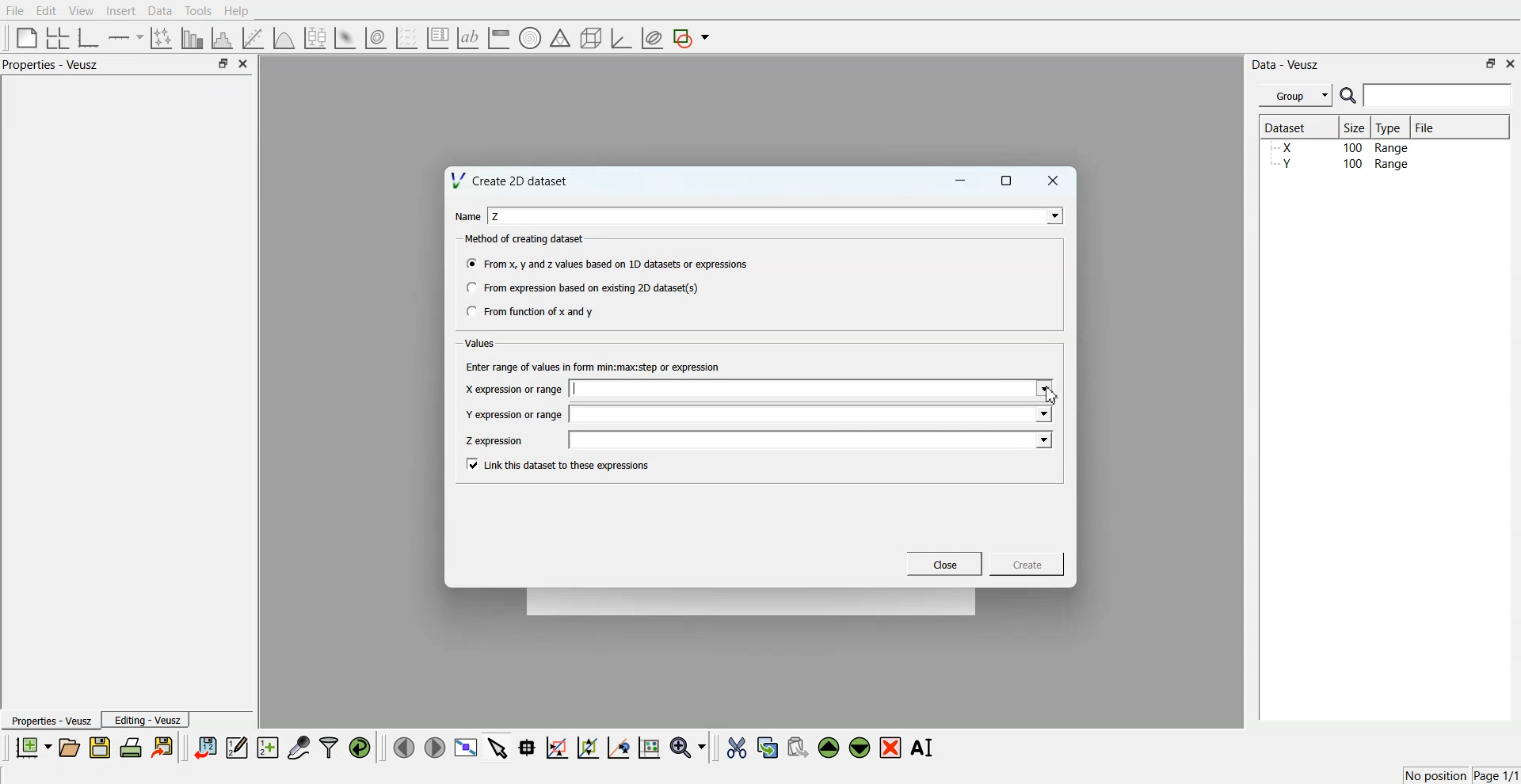 This screenshot has height=784, width=1521. What do you see at coordinates (1042, 413) in the screenshot?
I see `Drop down` at bounding box center [1042, 413].